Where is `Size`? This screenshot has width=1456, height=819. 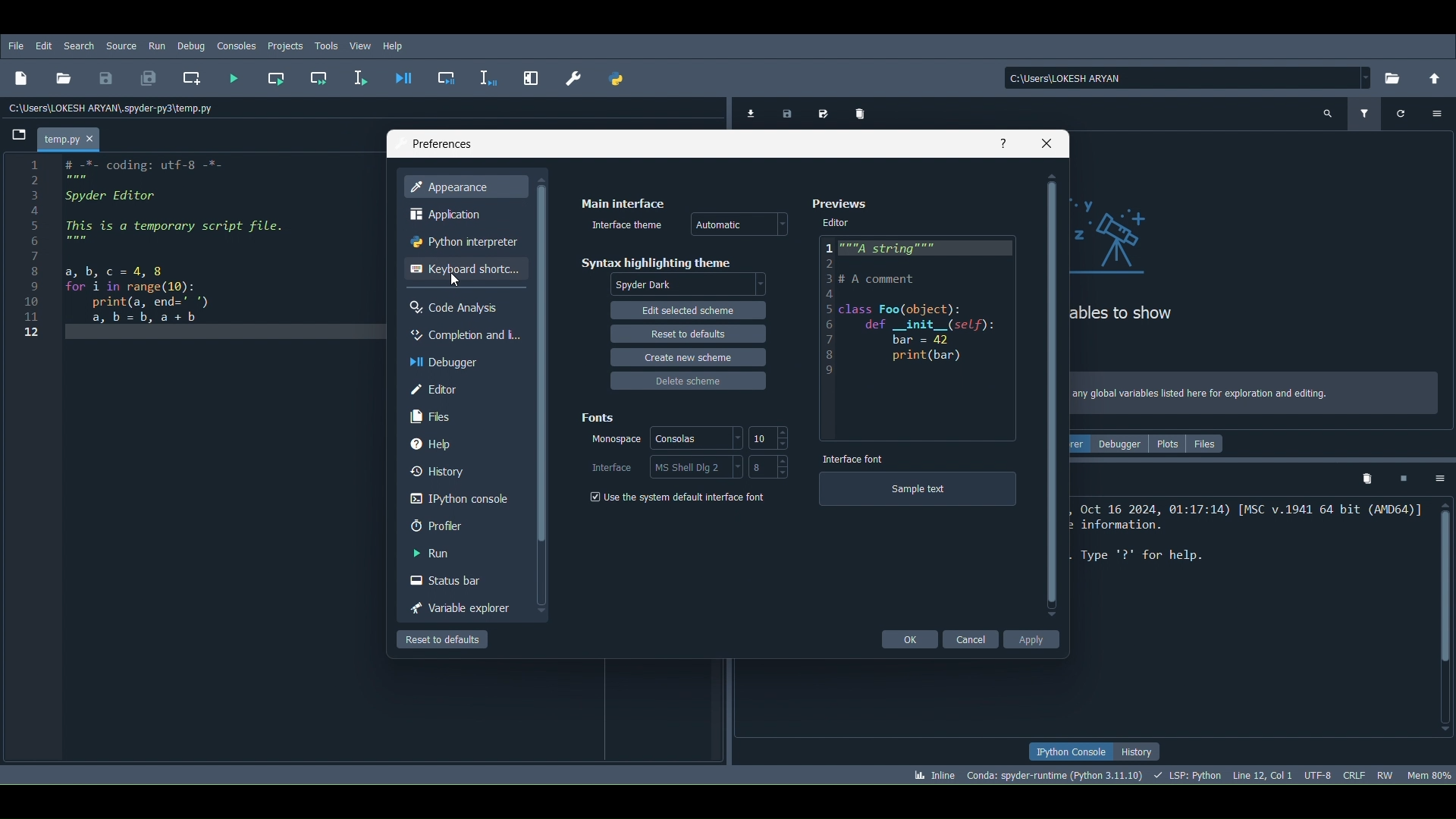
Size is located at coordinates (770, 438).